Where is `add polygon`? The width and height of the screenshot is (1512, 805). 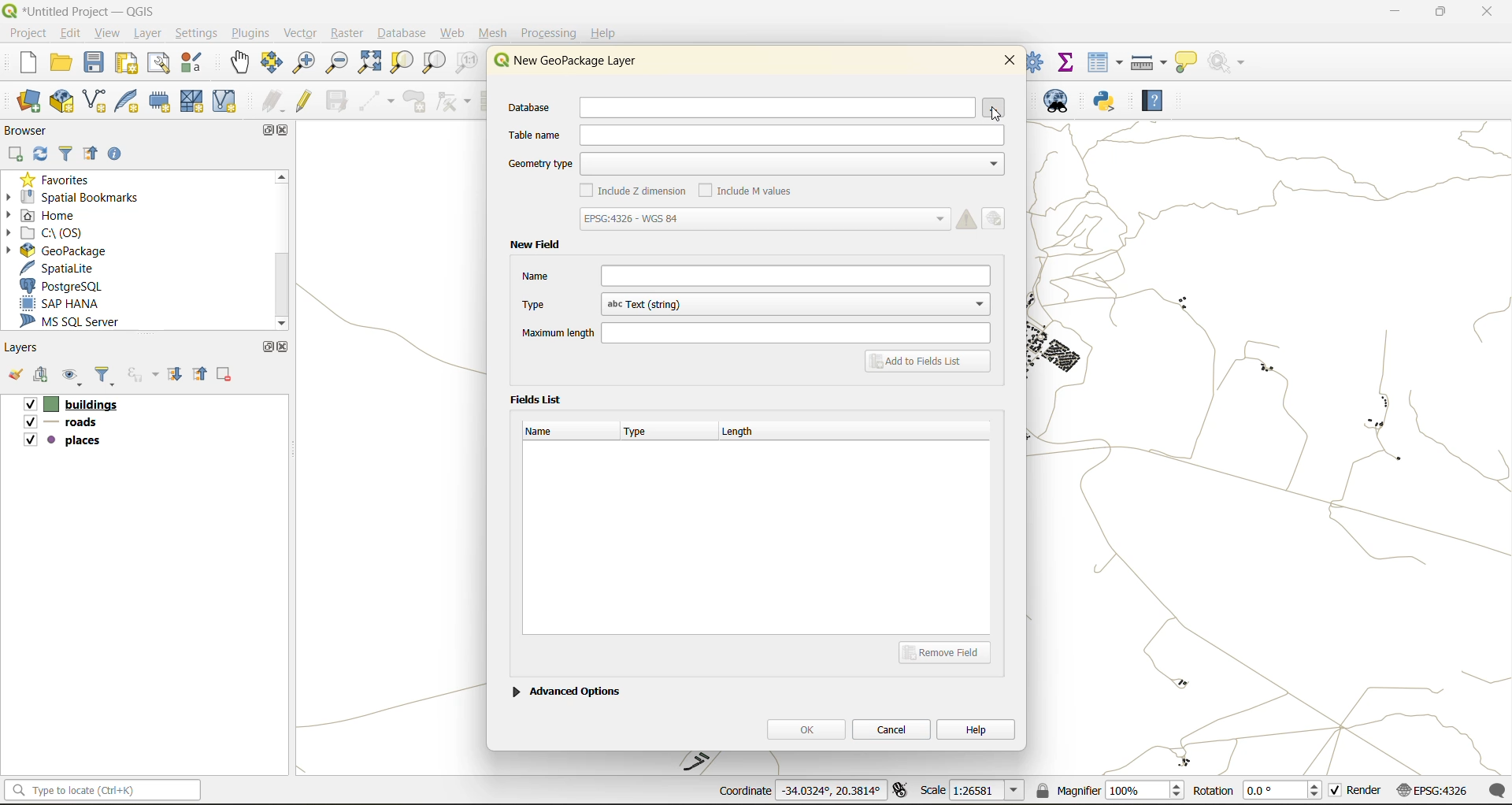
add polygon is located at coordinates (417, 106).